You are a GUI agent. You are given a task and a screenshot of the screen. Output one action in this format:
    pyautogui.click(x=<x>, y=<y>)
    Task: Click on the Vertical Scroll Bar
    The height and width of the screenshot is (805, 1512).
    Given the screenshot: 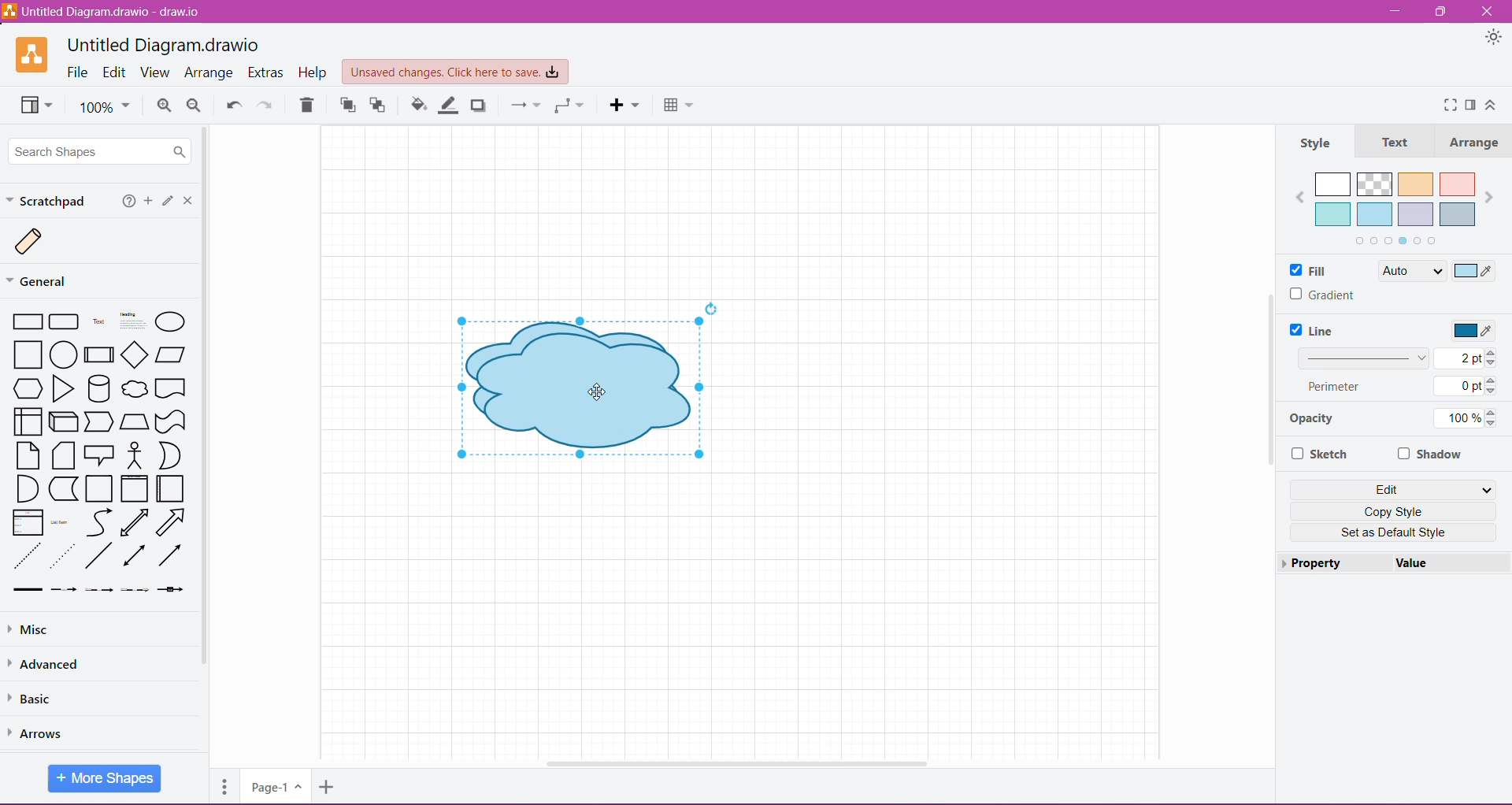 What is the action you would take?
    pyautogui.click(x=1269, y=387)
    